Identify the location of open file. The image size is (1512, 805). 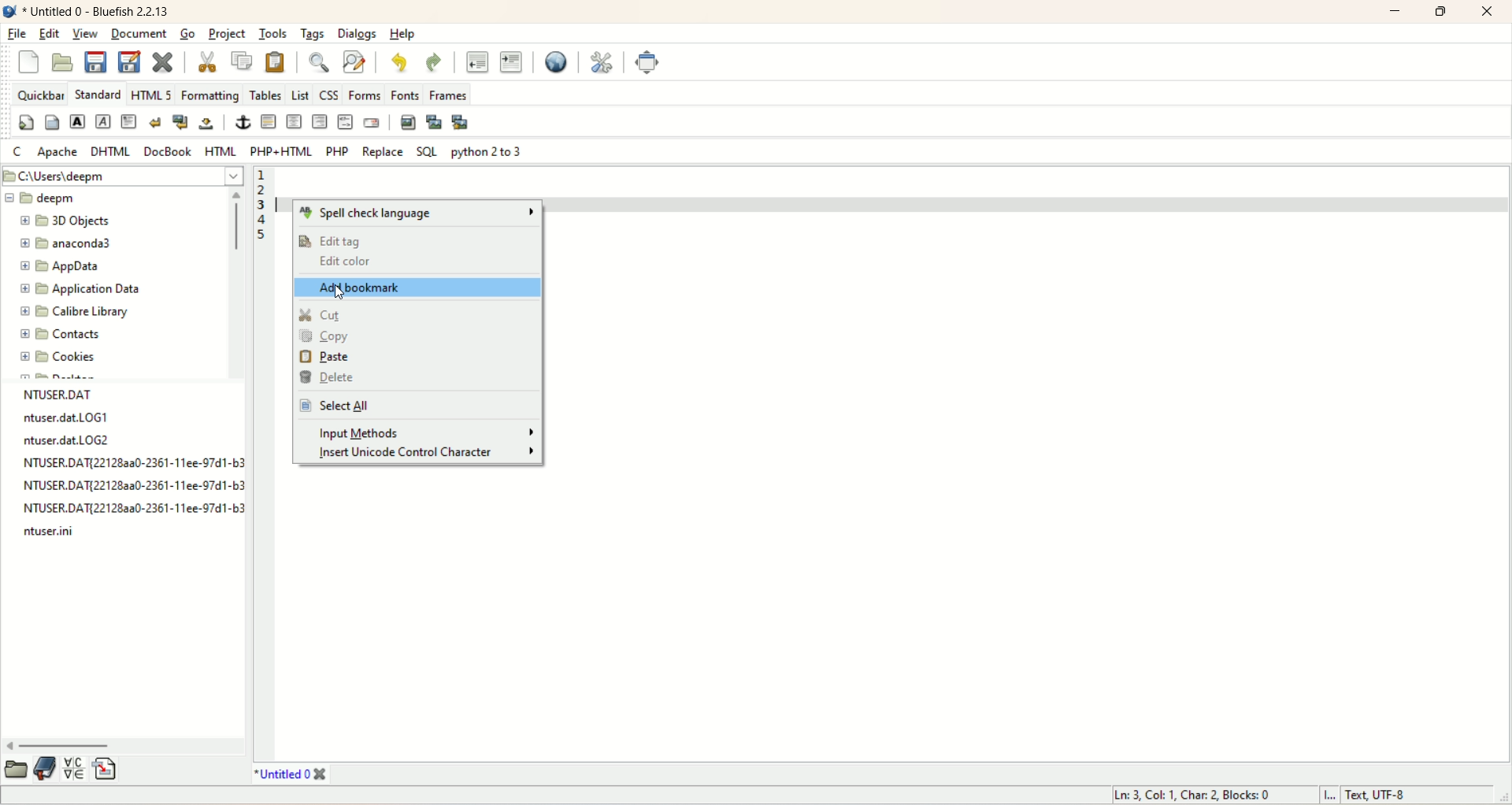
(62, 63).